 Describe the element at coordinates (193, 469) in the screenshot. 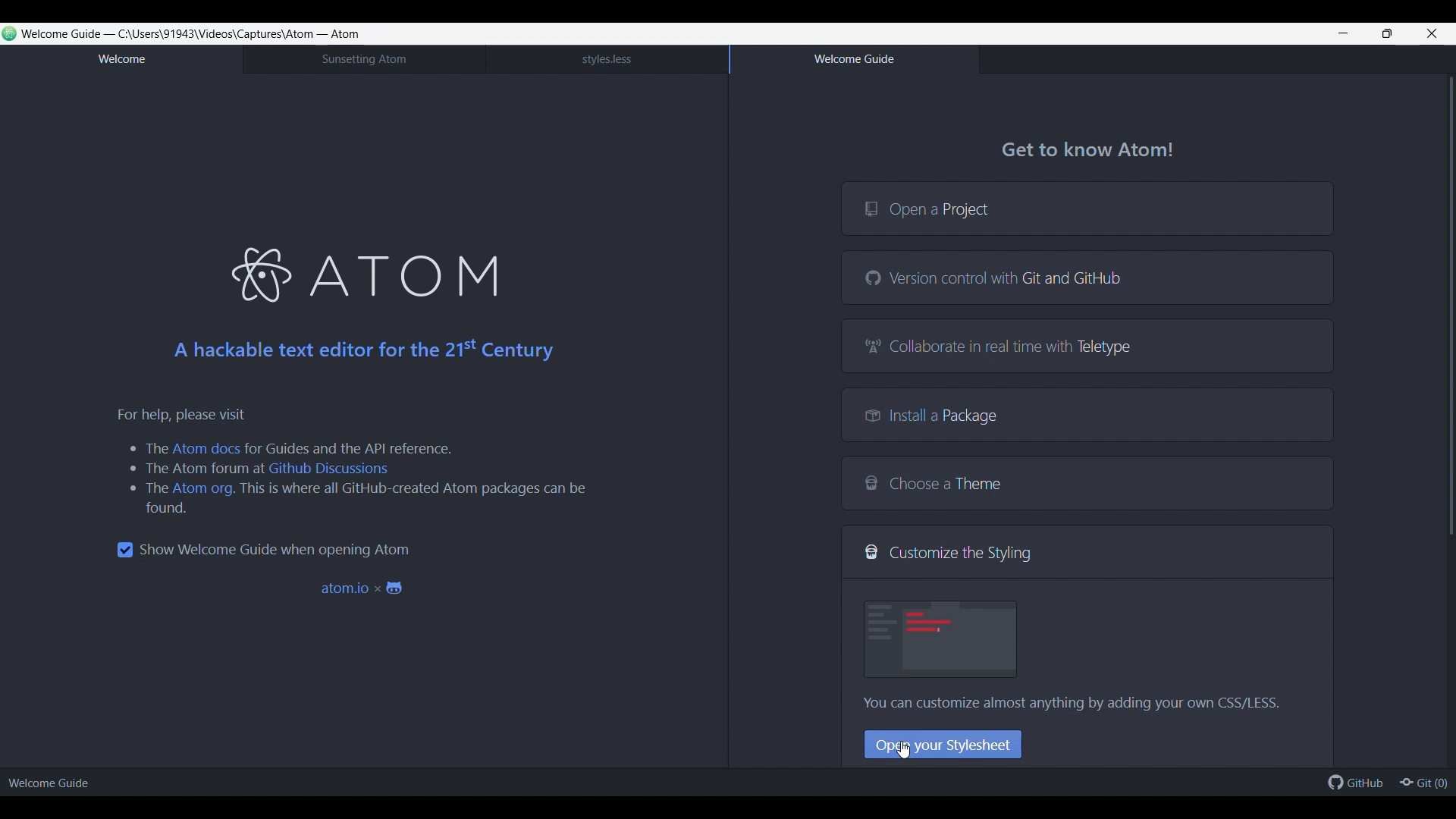

I see `the atom forum` at that location.